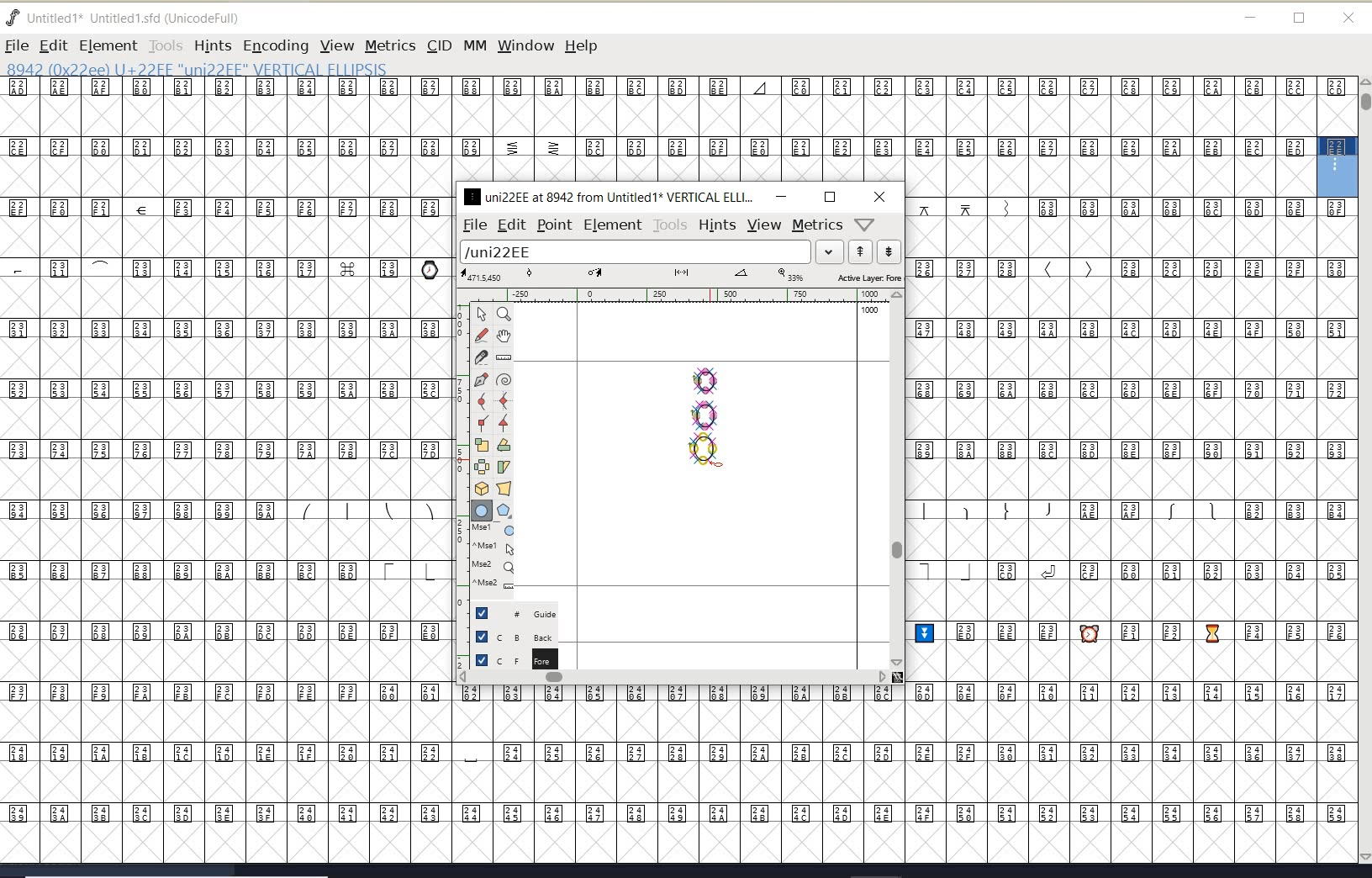 The height and width of the screenshot is (878, 1372). Describe the element at coordinates (613, 225) in the screenshot. I see `element` at that location.